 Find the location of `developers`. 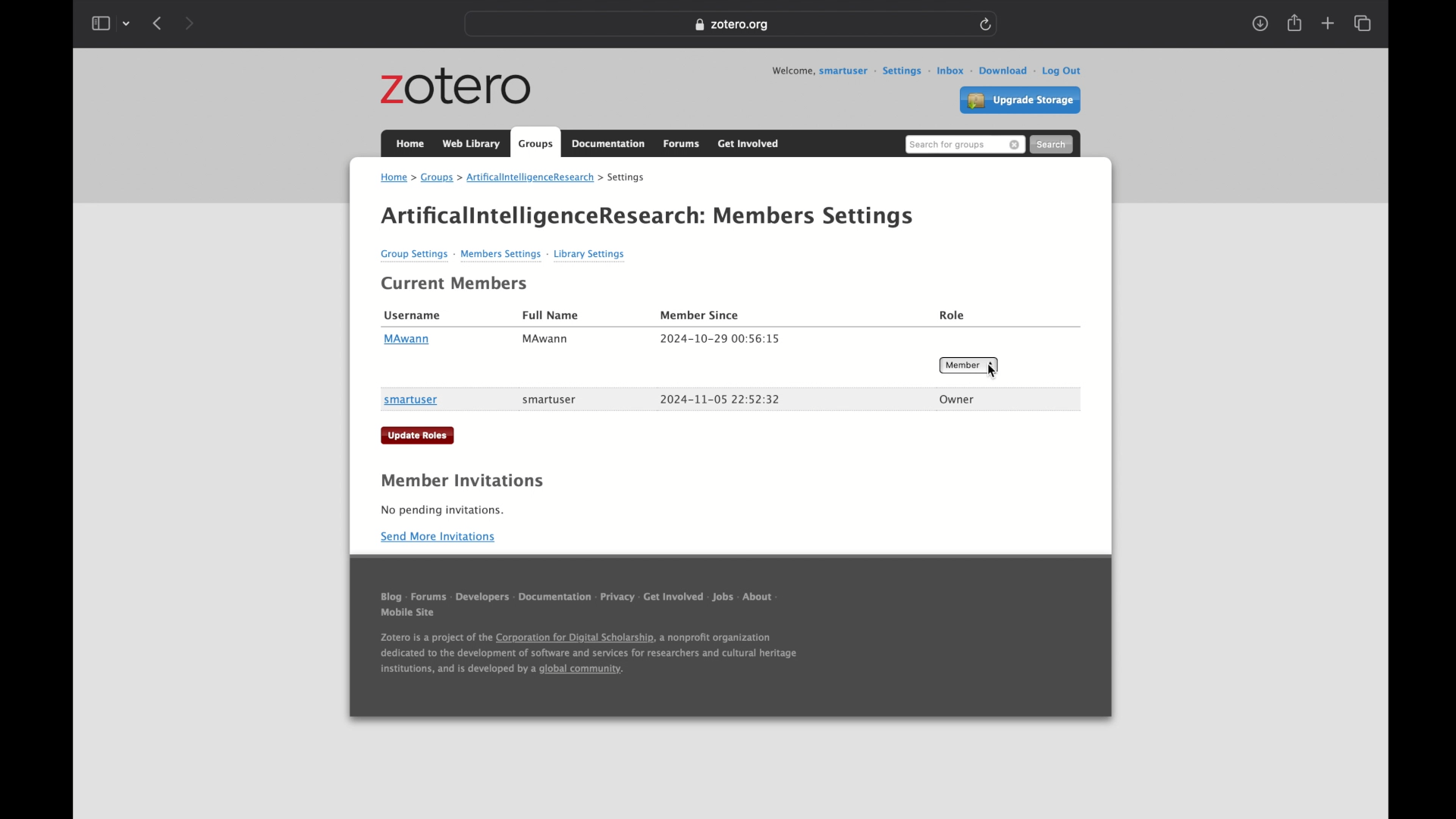

developers is located at coordinates (483, 601).